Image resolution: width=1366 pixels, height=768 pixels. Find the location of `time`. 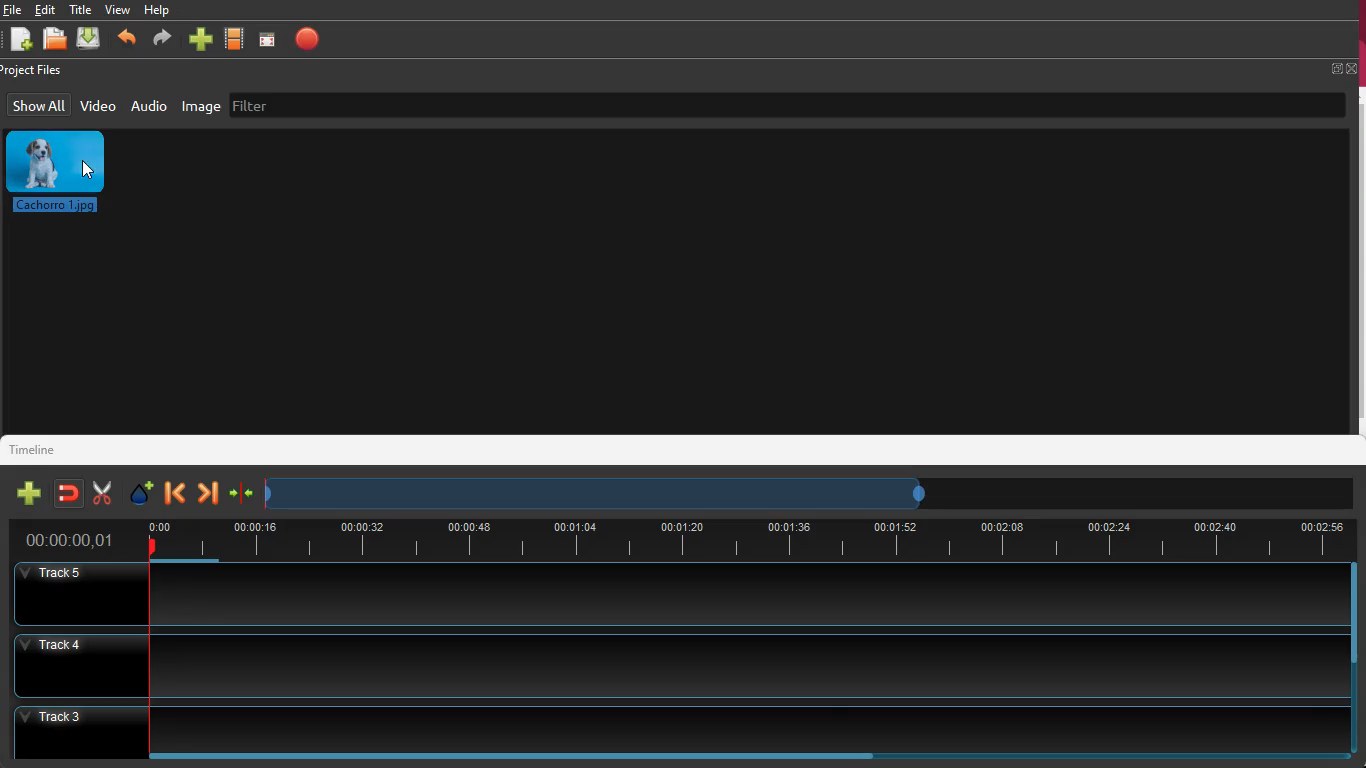

time is located at coordinates (67, 539).